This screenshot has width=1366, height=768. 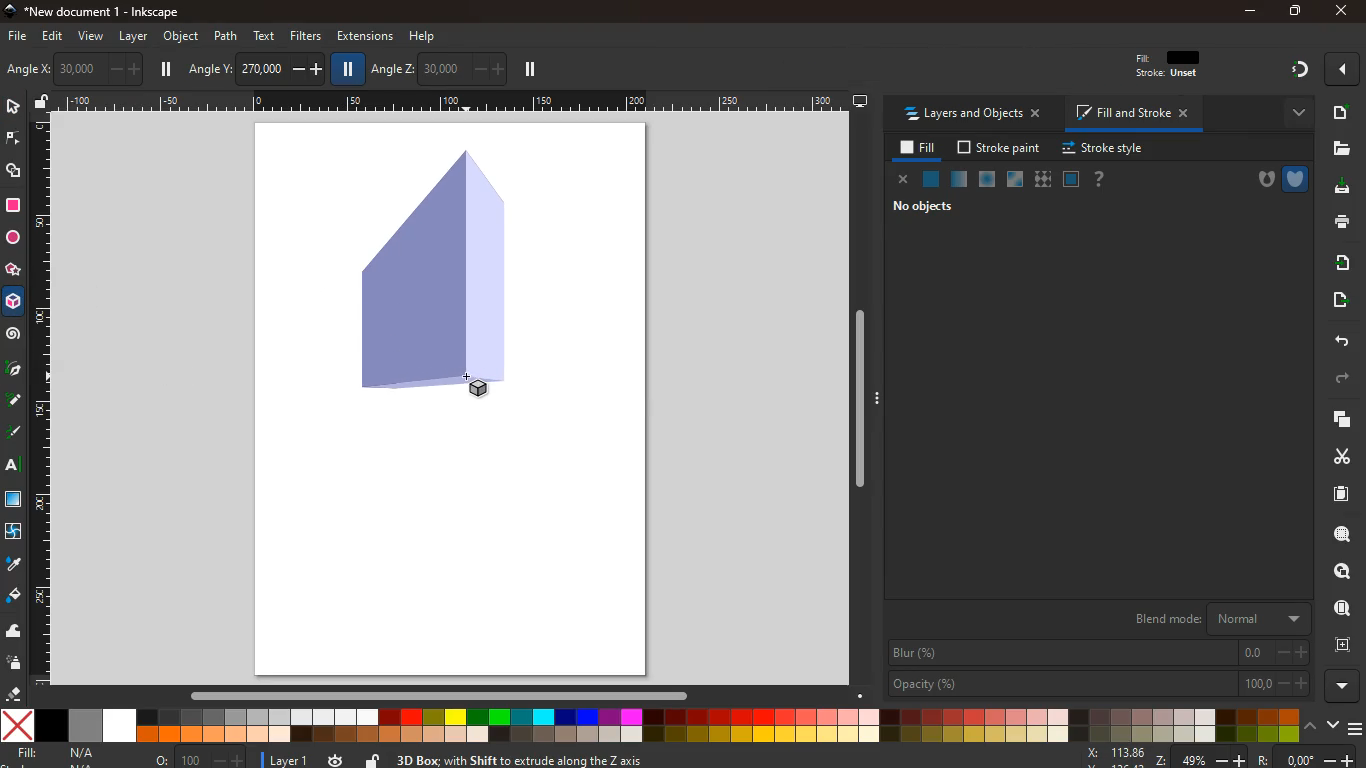 What do you see at coordinates (255, 67) in the screenshot?
I see `angle y` at bounding box center [255, 67].